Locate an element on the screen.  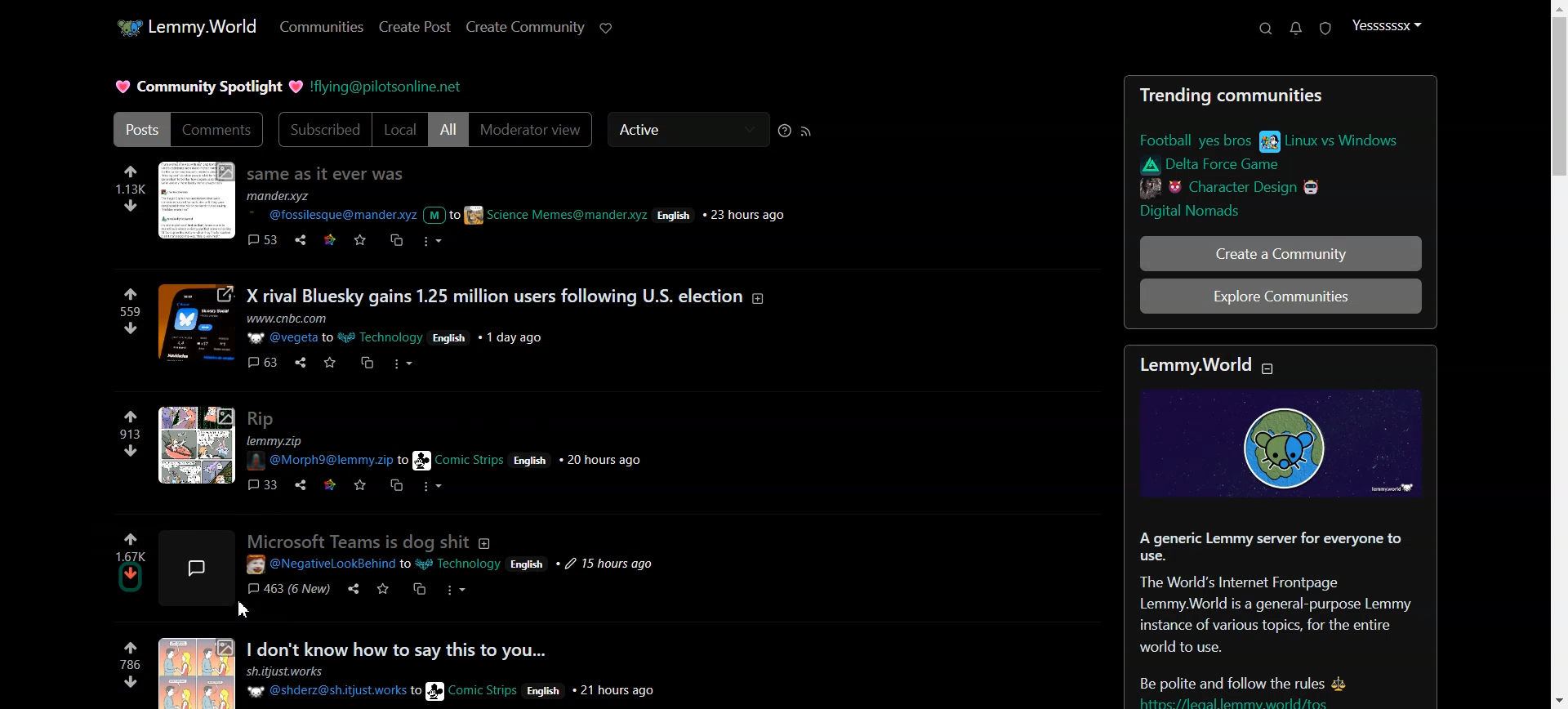
Sorting Help is located at coordinates (786, 131).